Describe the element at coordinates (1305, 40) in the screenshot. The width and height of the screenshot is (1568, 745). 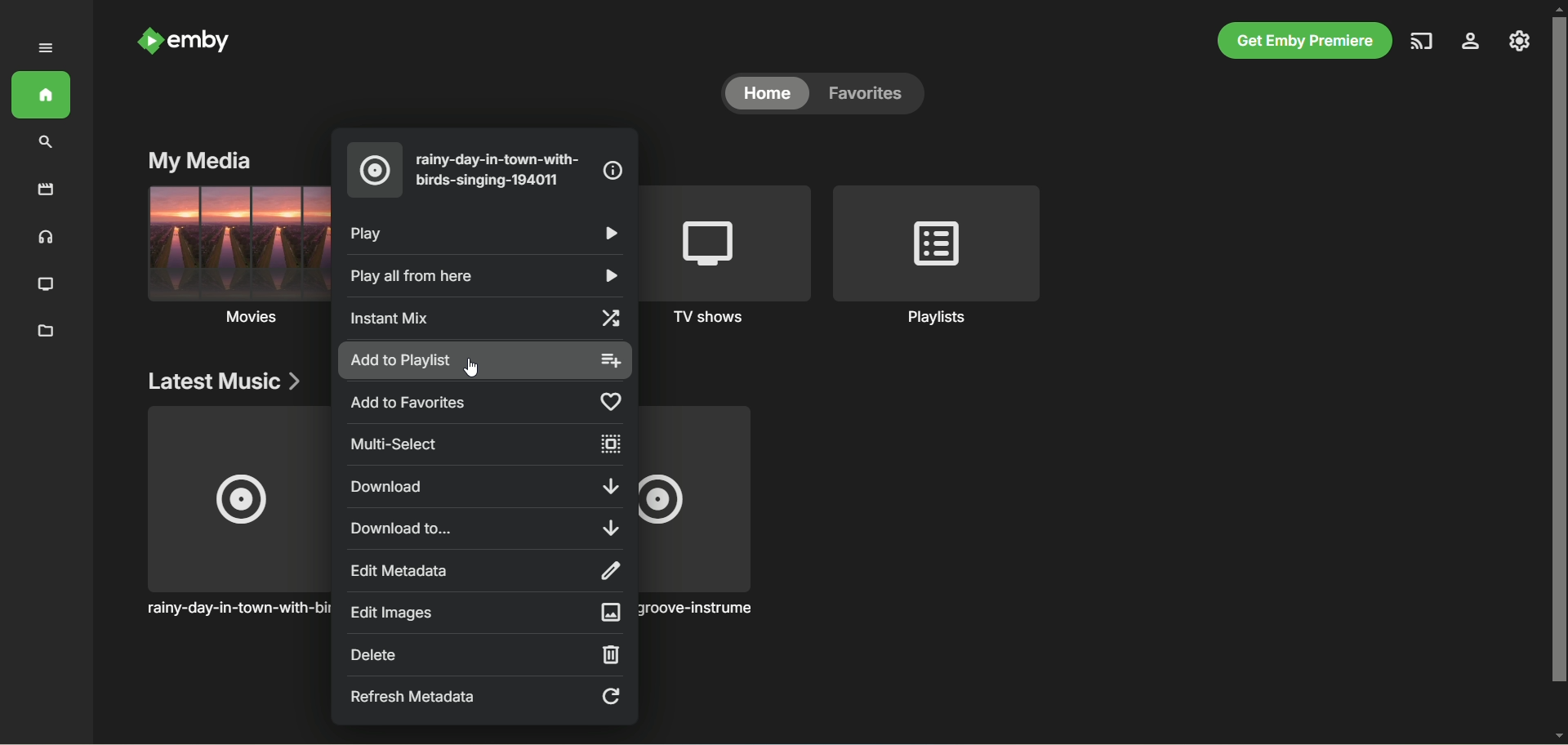
I see `get emby premiere` at that location.